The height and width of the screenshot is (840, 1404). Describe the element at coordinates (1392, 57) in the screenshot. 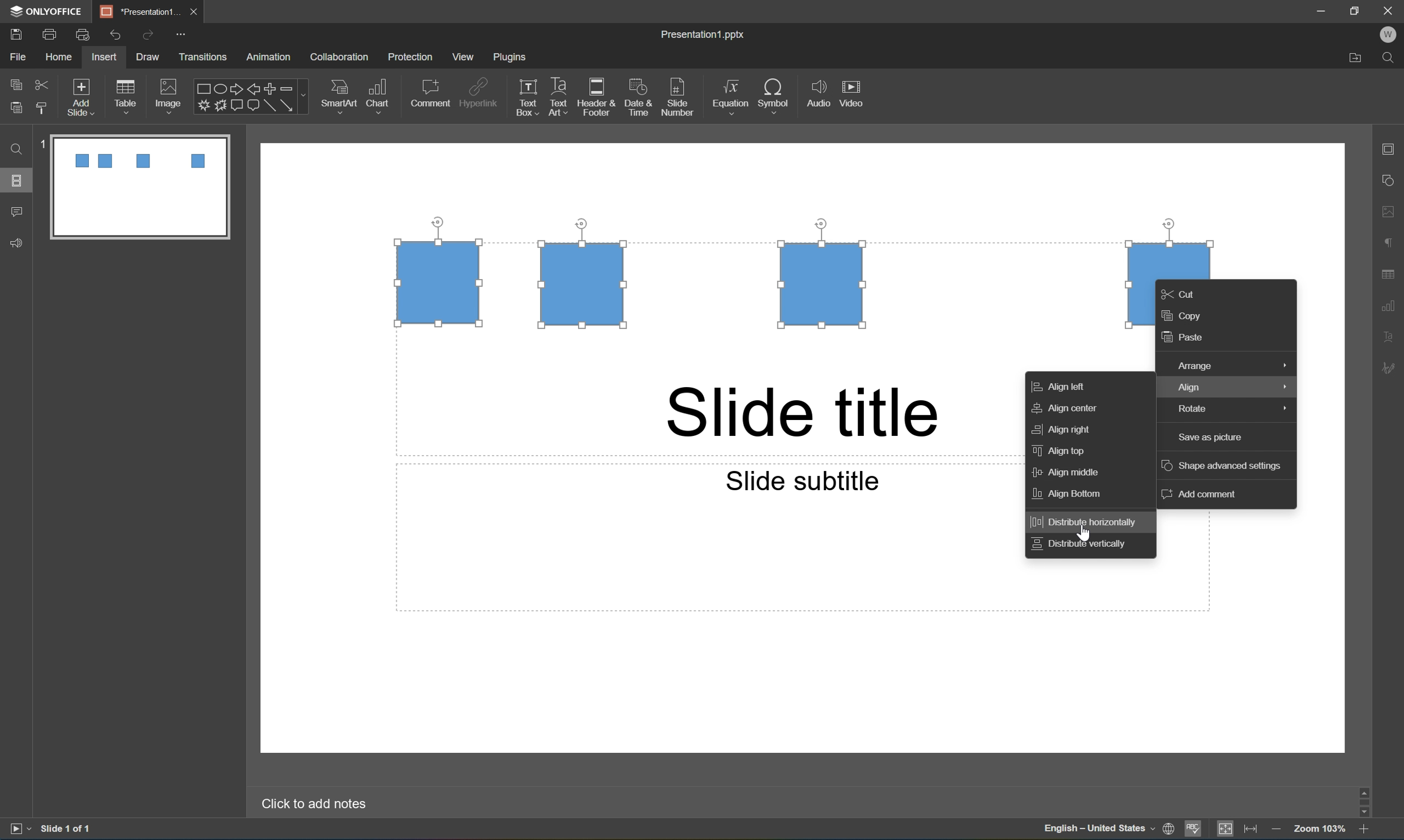

I see `Find` at that location.